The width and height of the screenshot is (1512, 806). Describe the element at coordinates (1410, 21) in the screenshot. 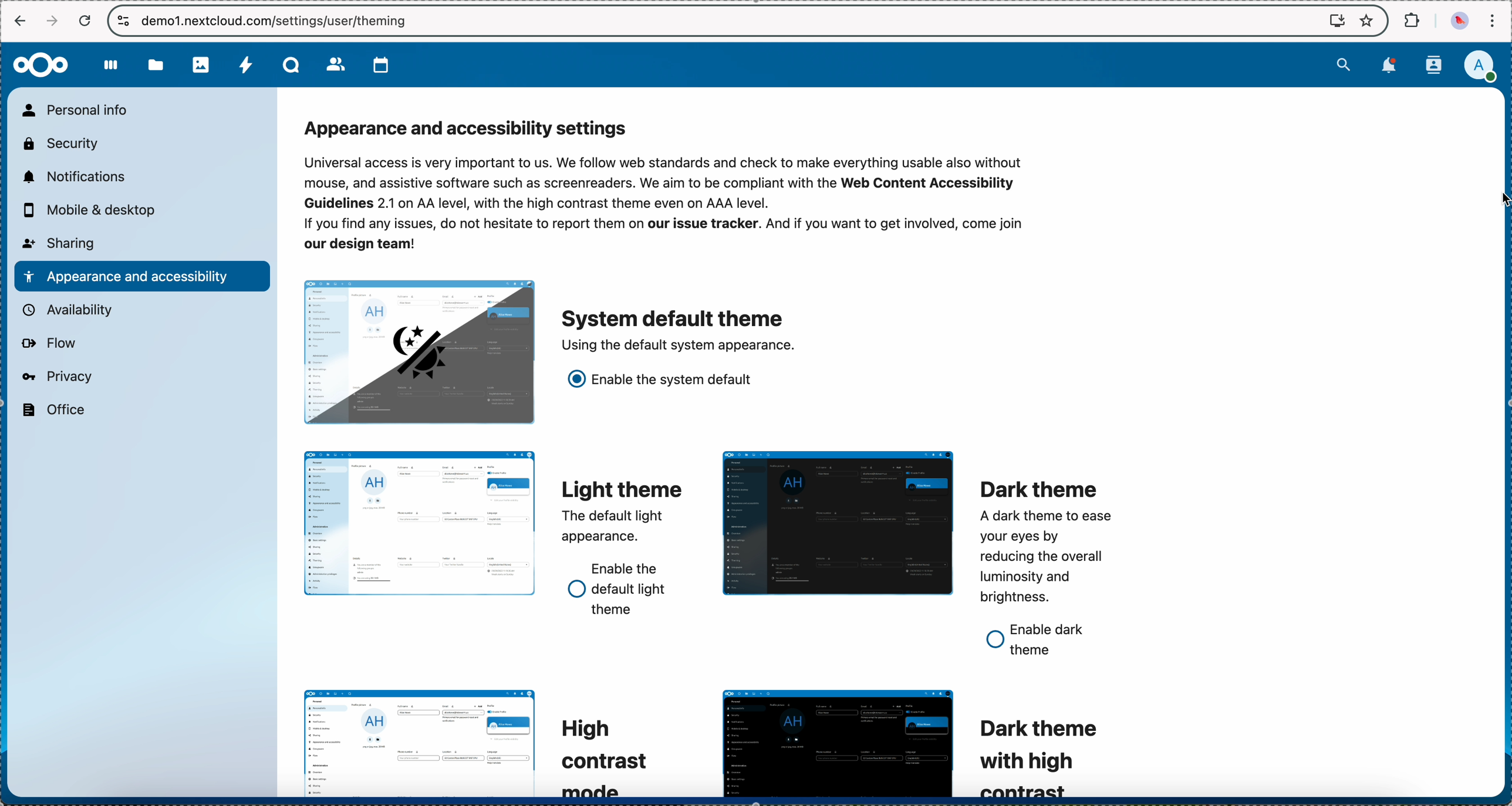

I see `extensions` at that location.